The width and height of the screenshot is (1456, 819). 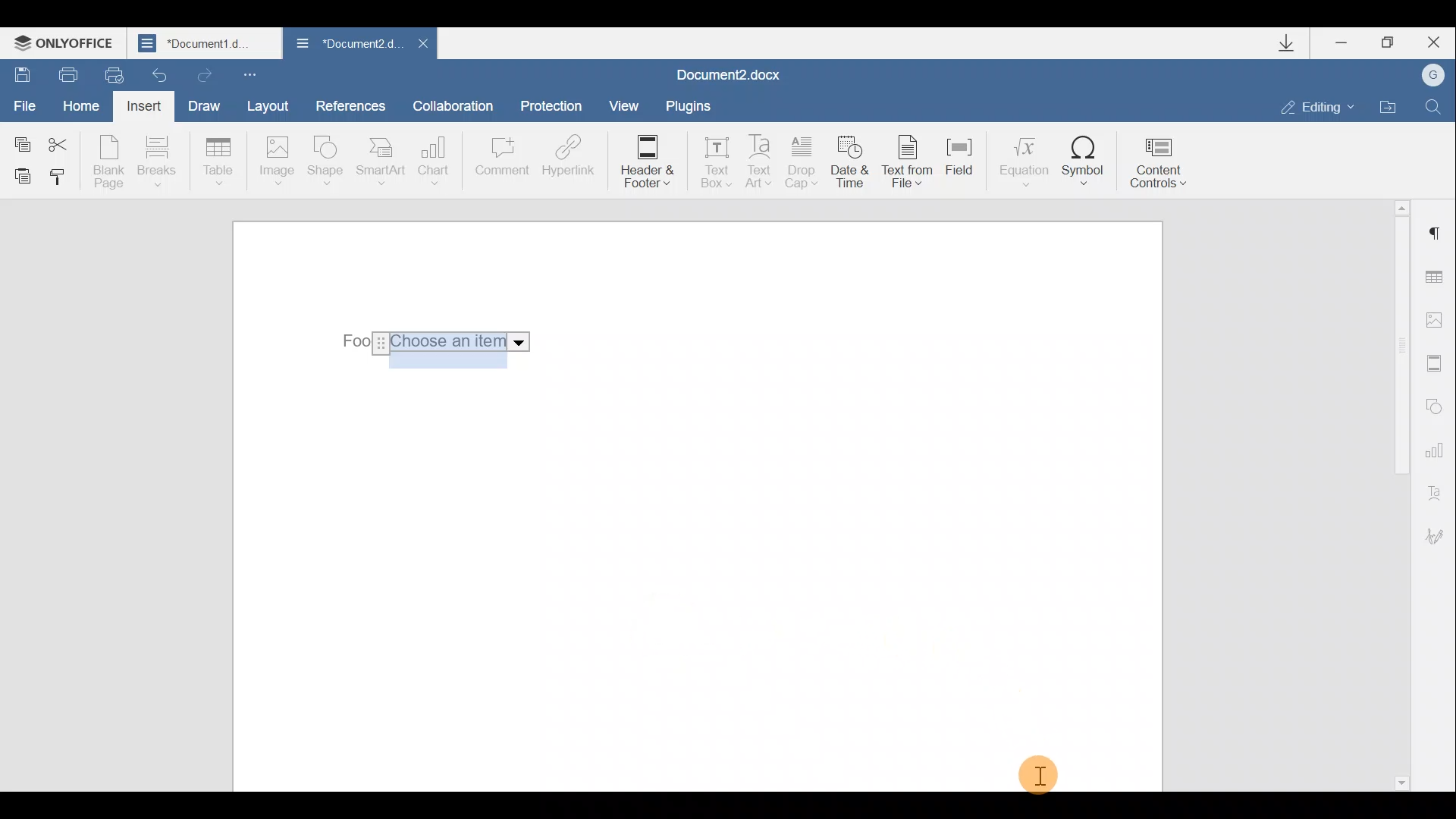 What do you see at coordinates (555, 108) in the screenshot?
I see `Protection` at bounding box center [555, 108].